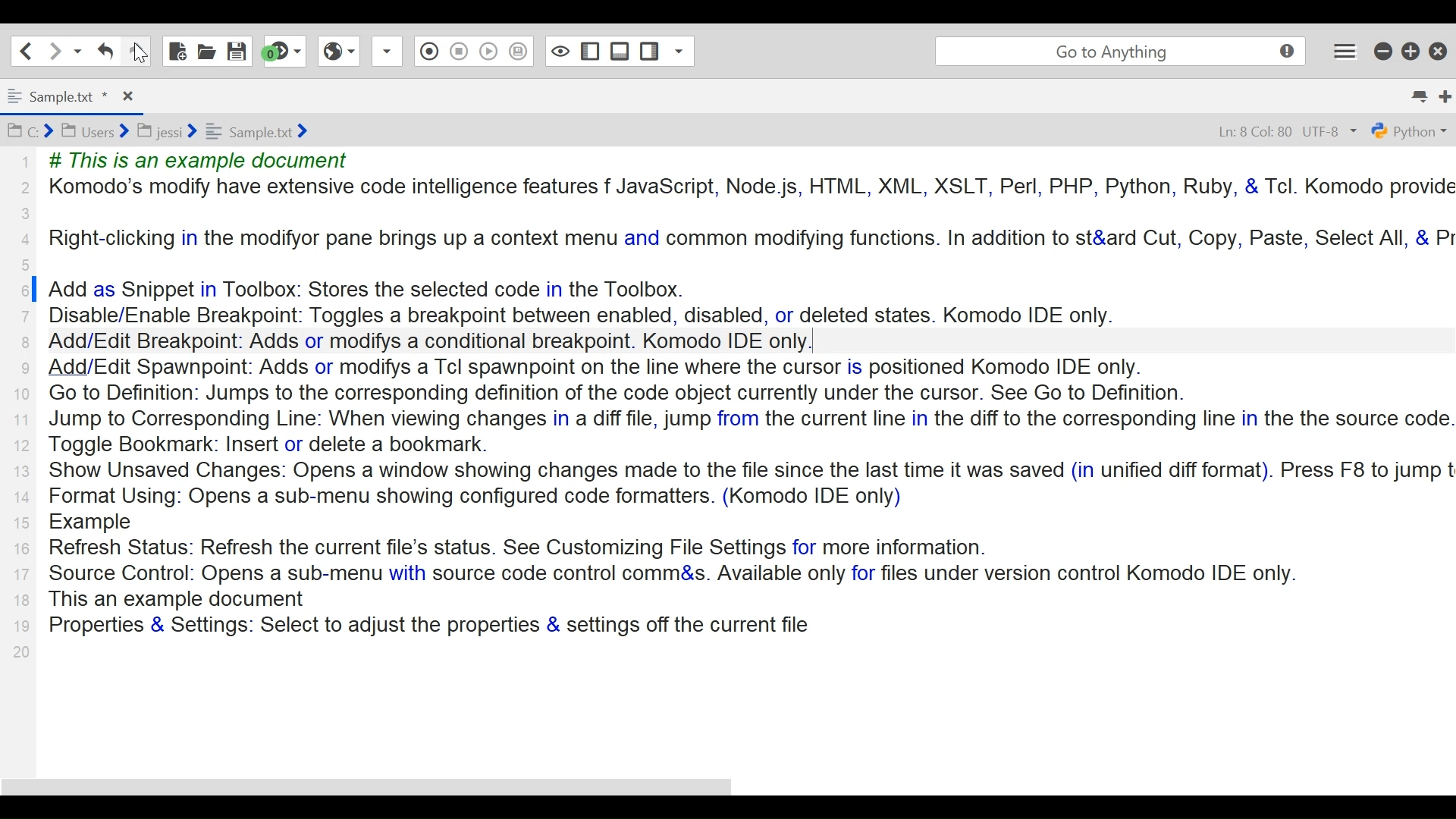 This screenshot has height=819, width=1456. Describe the element at coordinates (458, 51) in the screenshot. I see `Stop Recording in Macro` at that location.